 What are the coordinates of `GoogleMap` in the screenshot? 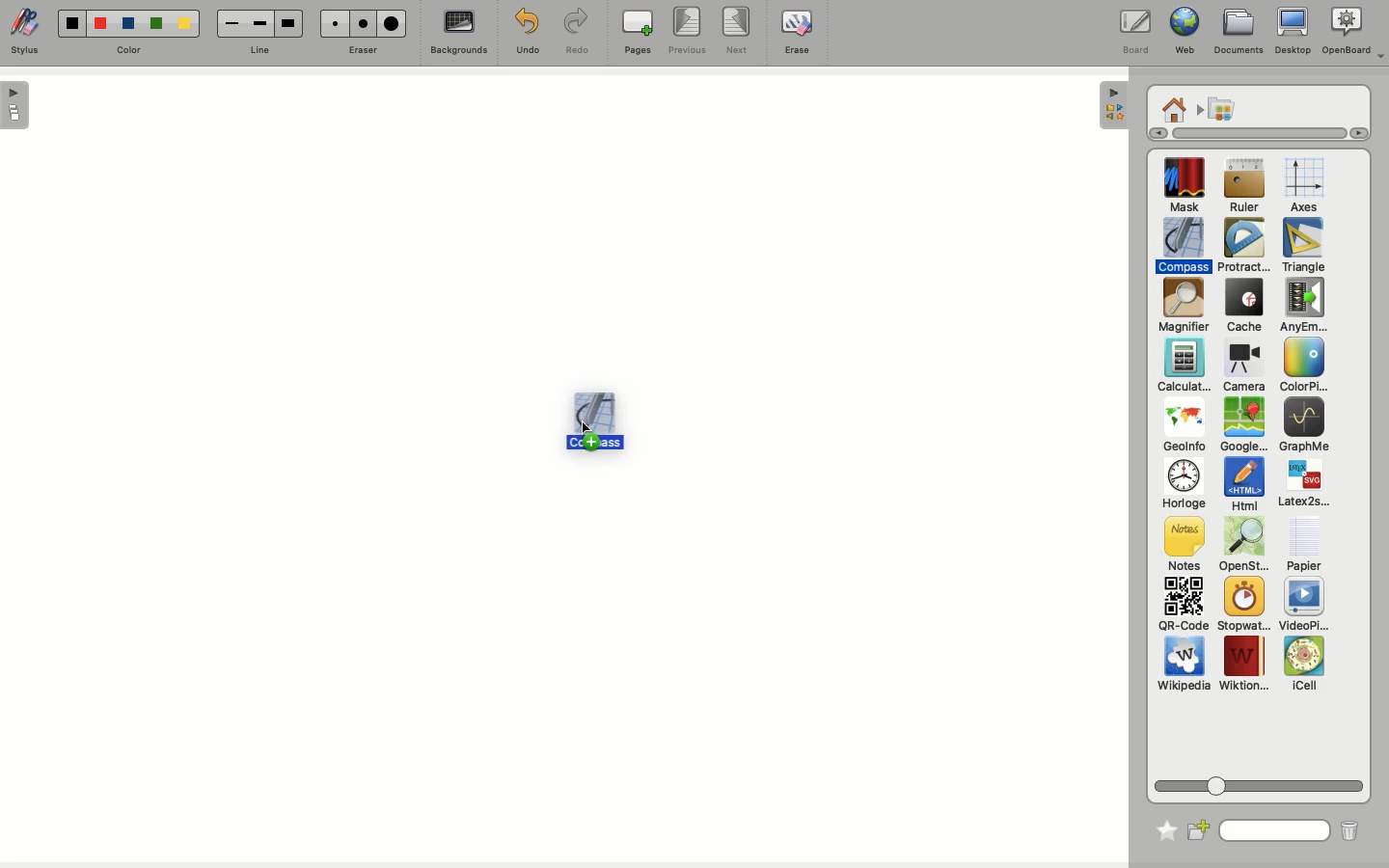 It's located at (1243, 426).